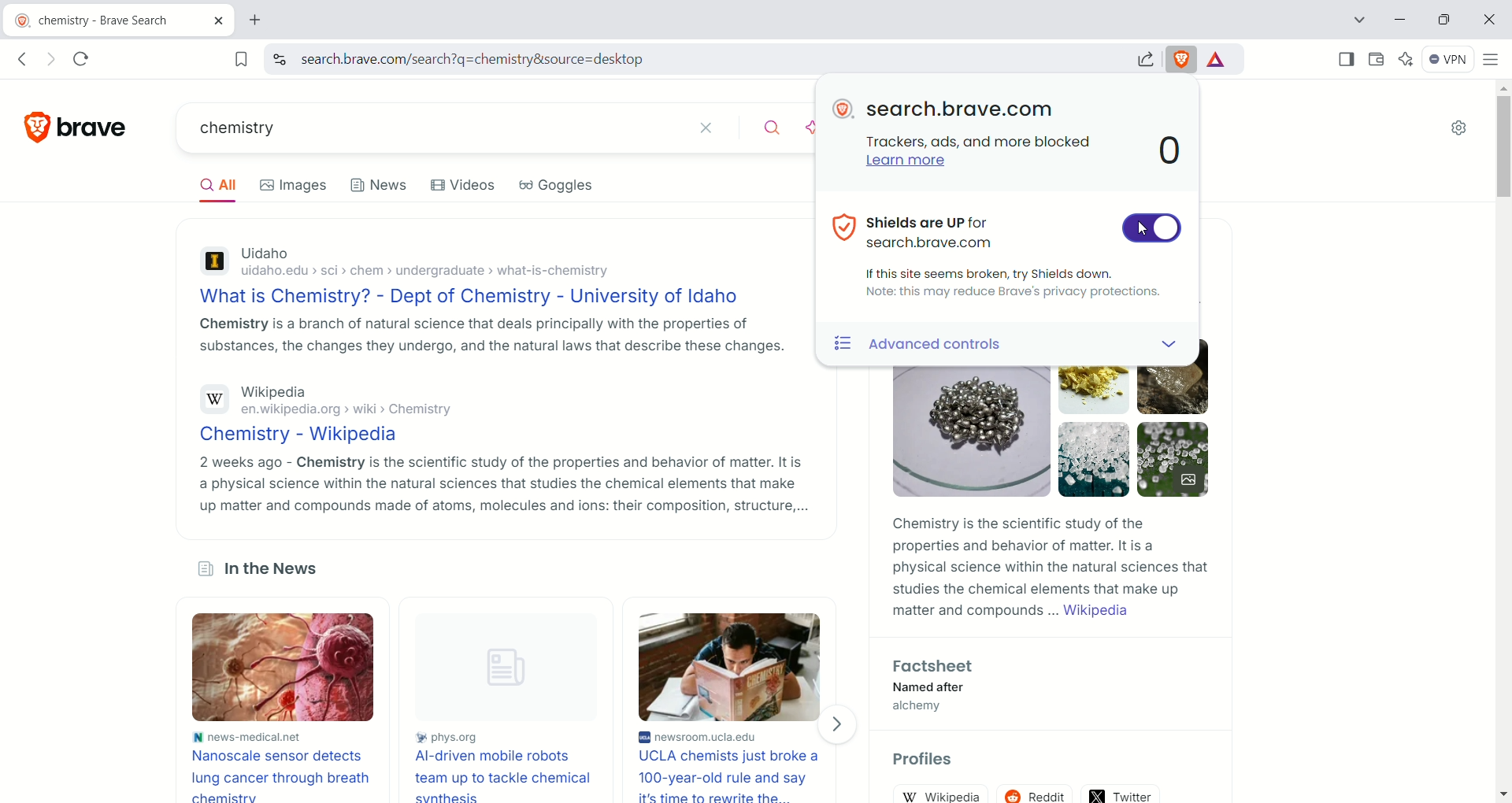  What do you see at coordinates (981, 142) in the screenshot?
I see `Trackers, ads, and more blocked.` at bounding box center [981, 142].